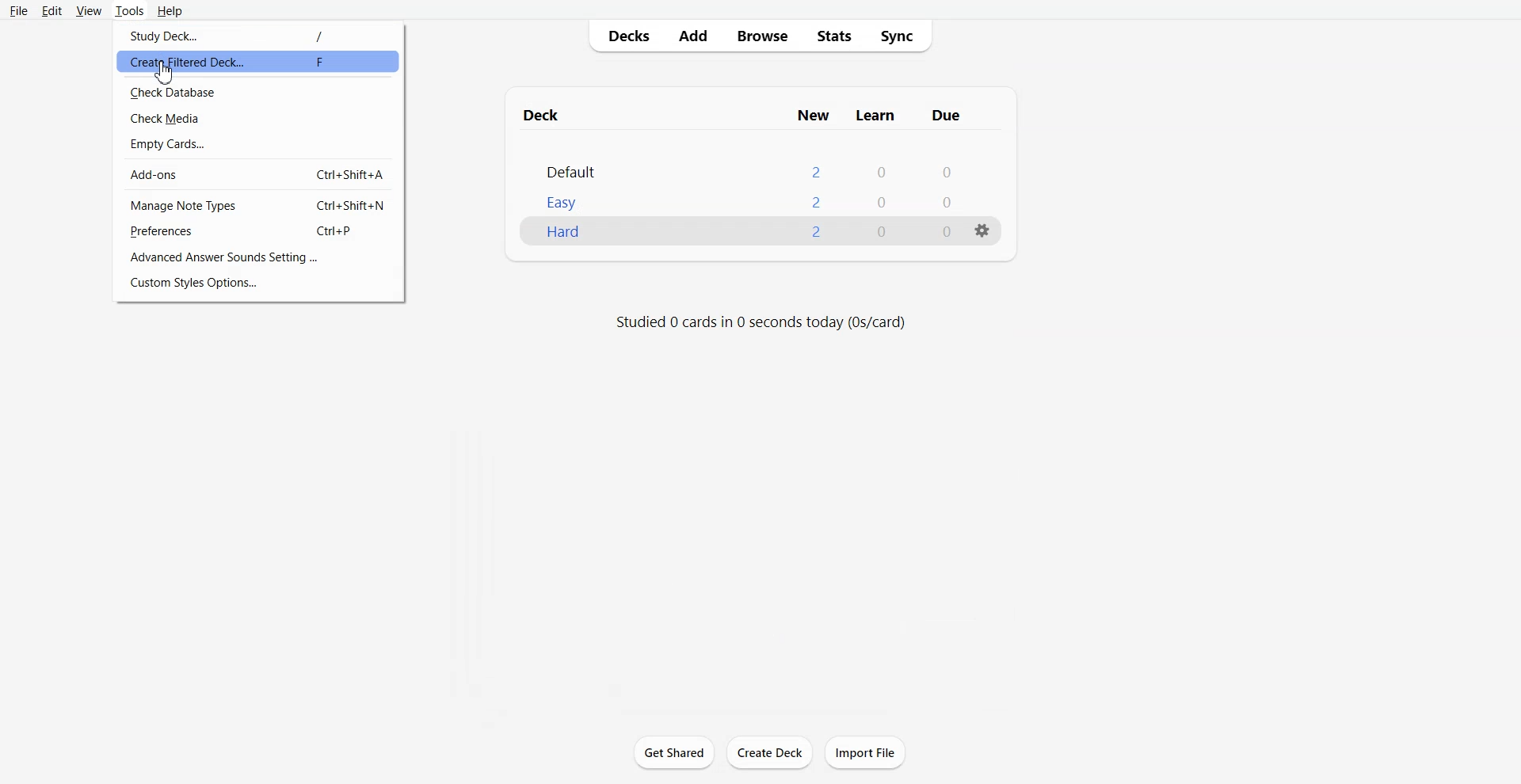  I want to click on Import File, so click(865, 752).